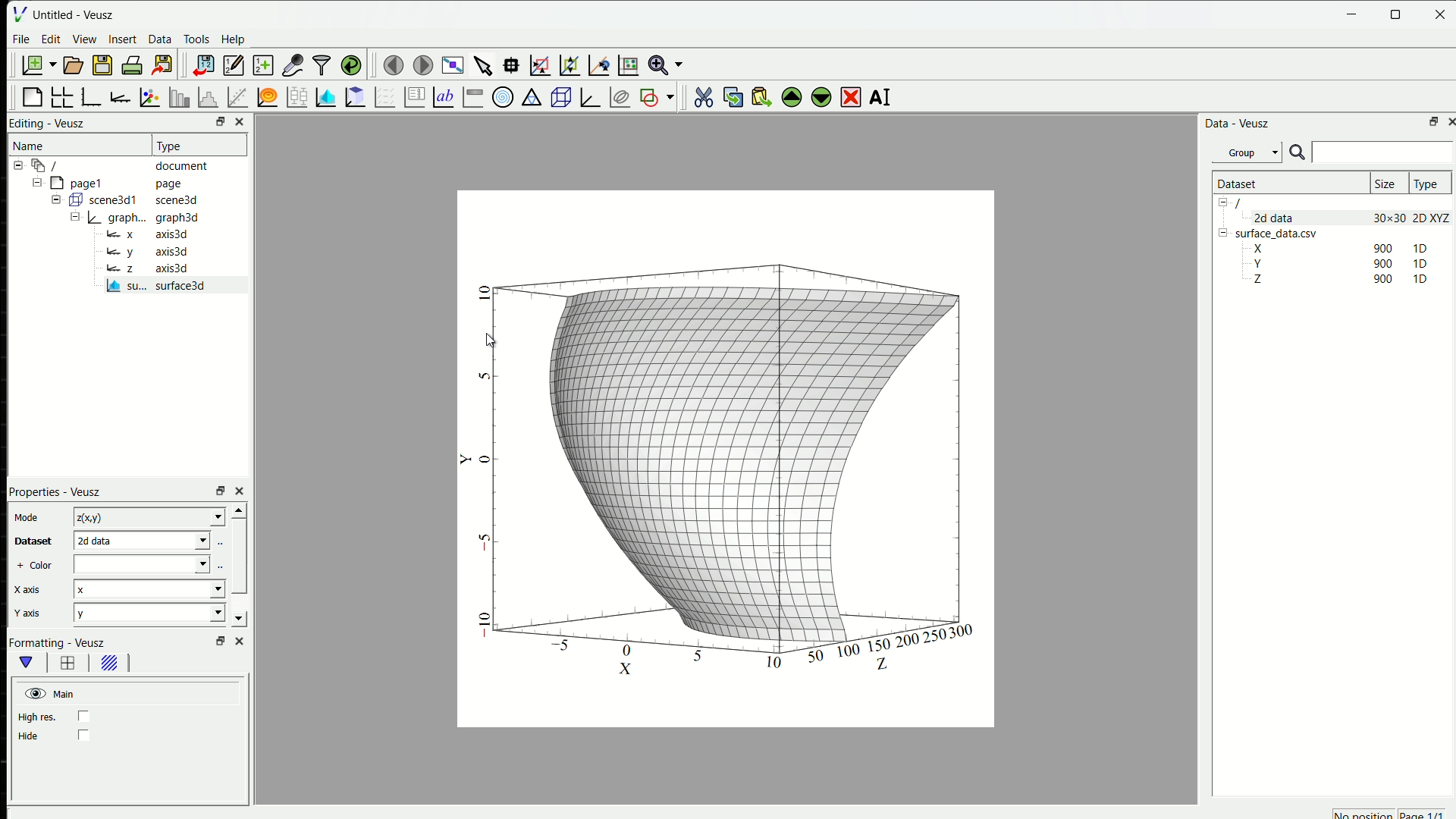  What do you see at coordinates (385, 96) in the screenshot?
I see `plot a vector field` at bounding box center [385, 96].